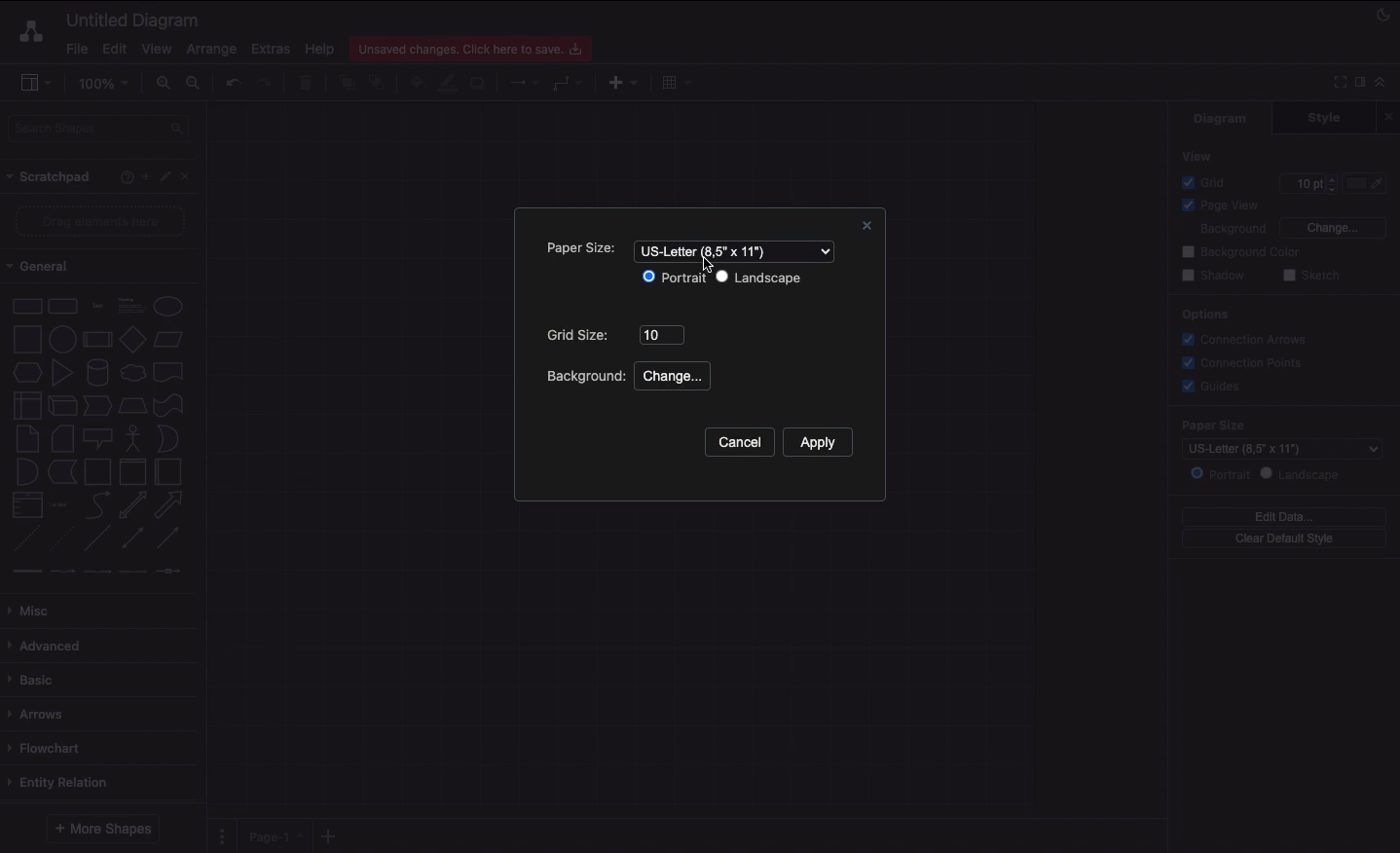  Describe the element at coordinates (273, 834) in the screenshot. I see `Page 1` at that location.